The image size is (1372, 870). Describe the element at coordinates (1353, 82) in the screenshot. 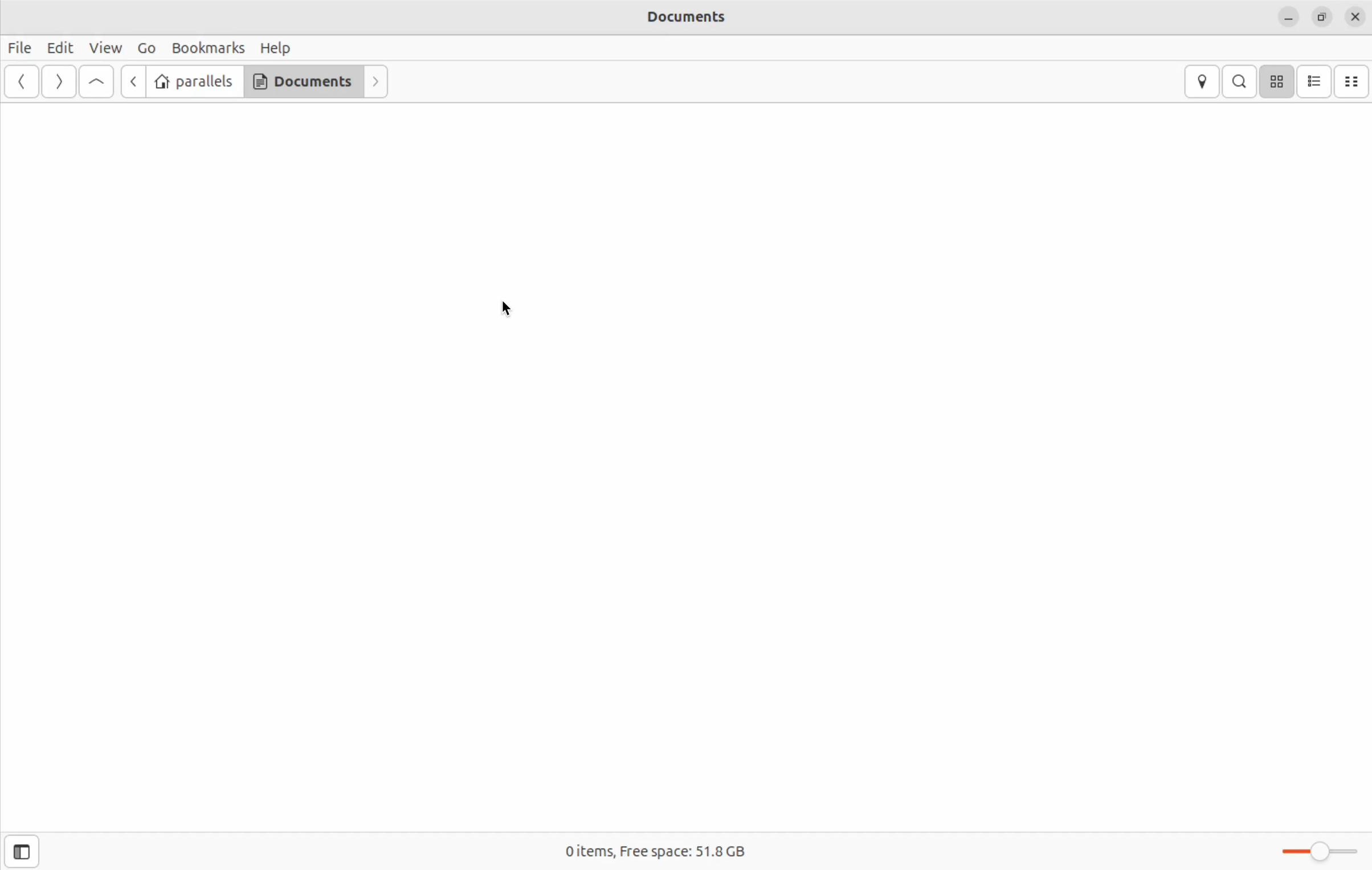

I see `compact view` at that location.